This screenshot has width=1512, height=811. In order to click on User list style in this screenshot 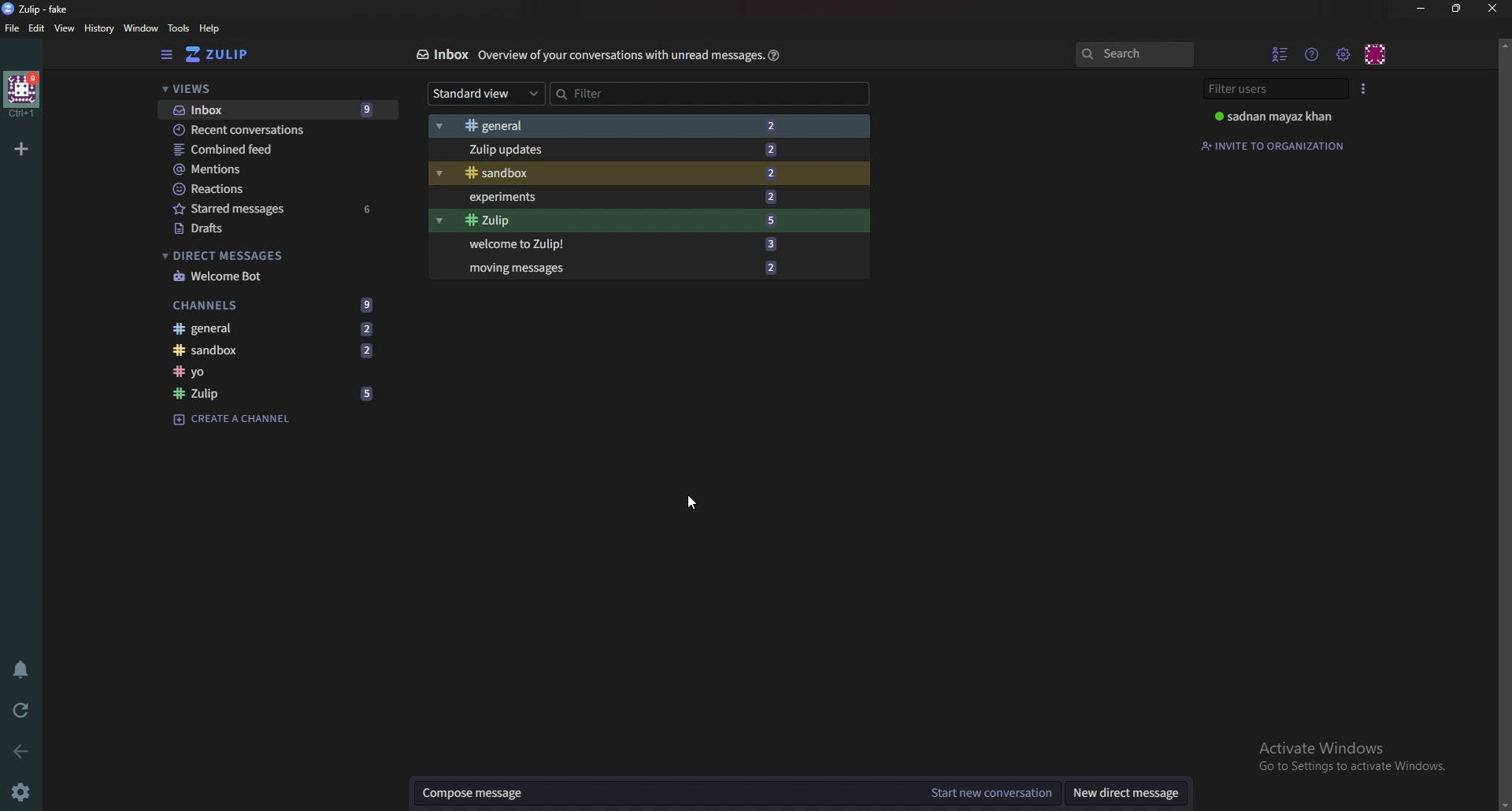, I will do `click(1363, 88)`.